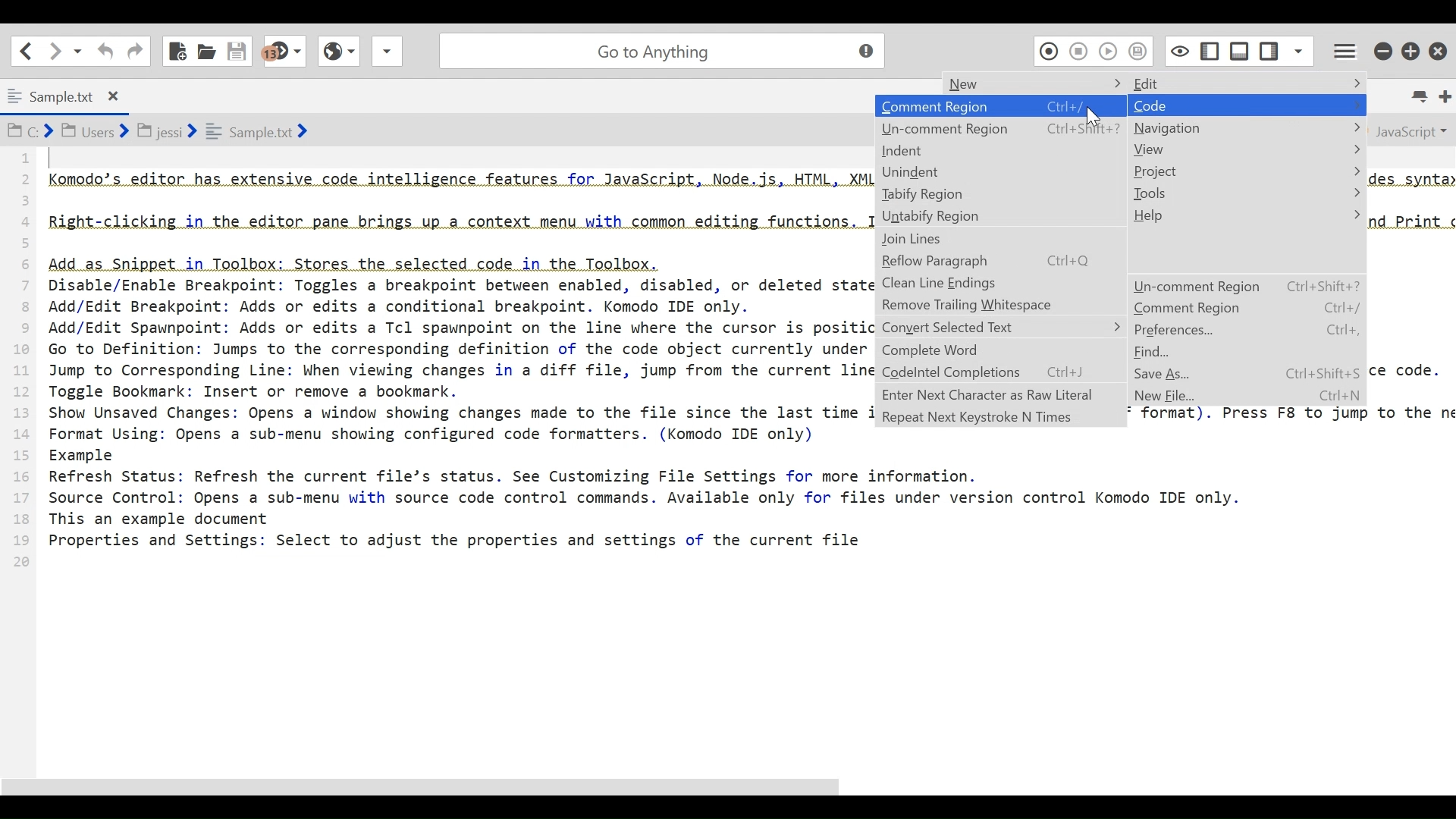 This screenshot has height=819, width=1456. Describe the element at coordinates (1245, 286) in the screenshot. I see `Un-comment region` at that location.